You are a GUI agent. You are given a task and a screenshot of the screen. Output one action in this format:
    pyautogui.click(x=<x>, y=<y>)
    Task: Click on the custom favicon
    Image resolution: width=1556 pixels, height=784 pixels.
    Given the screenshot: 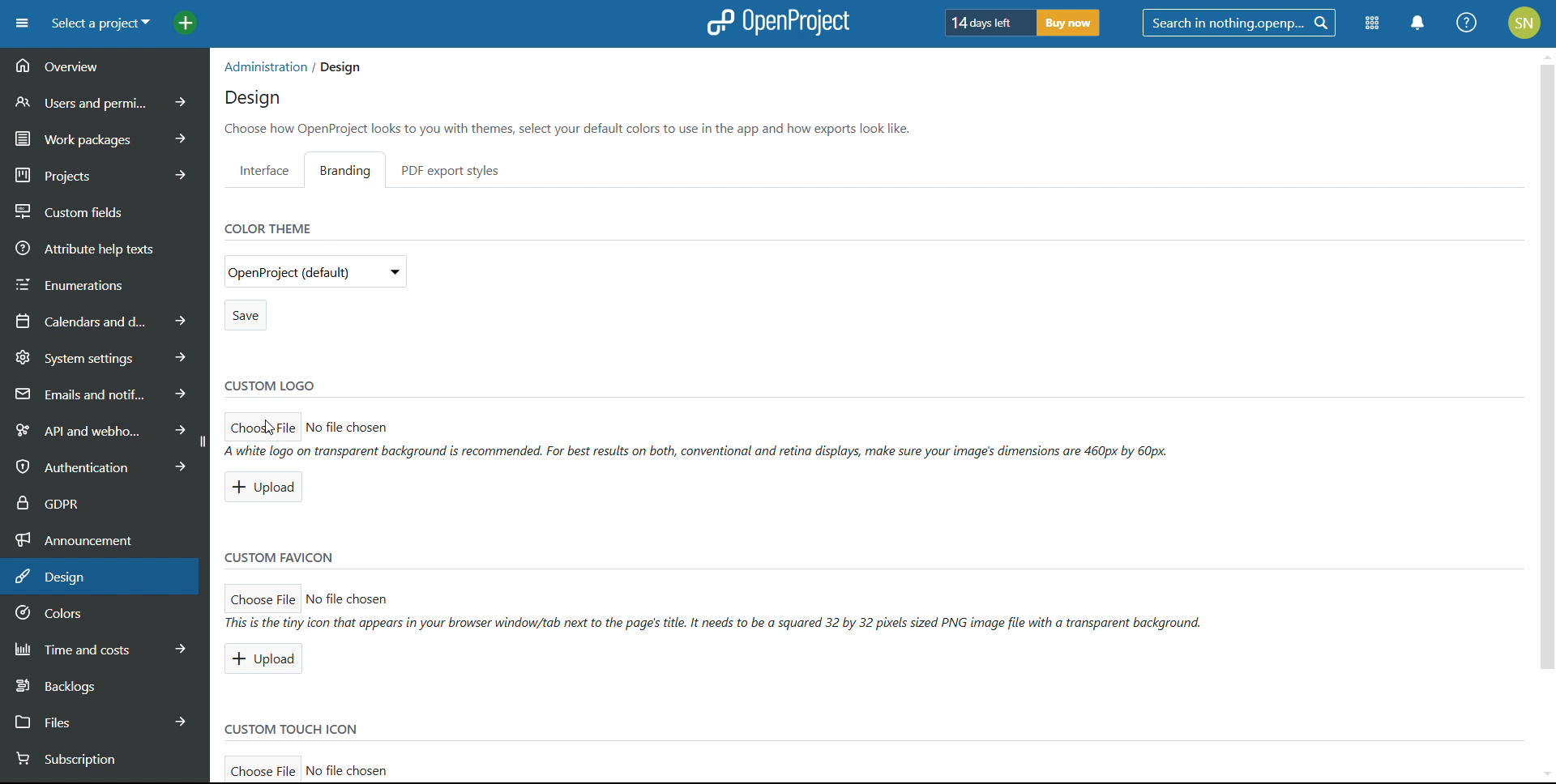 What is the action you would take?
    pyautogui.click(x=280, y=556)
    